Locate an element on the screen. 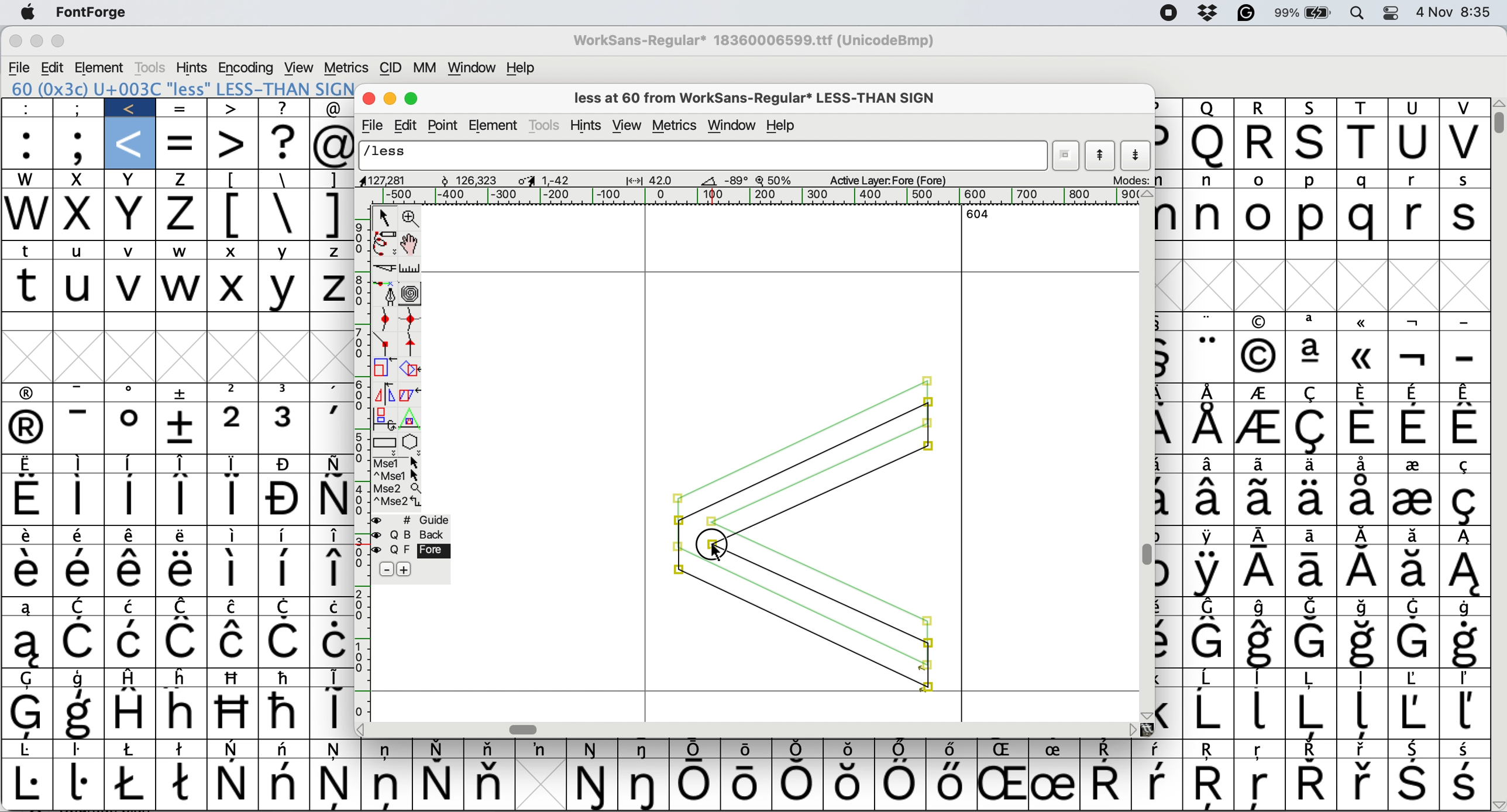 This screenshot has height=812, width=1507. measure distance is located at coordinates (411, 267).